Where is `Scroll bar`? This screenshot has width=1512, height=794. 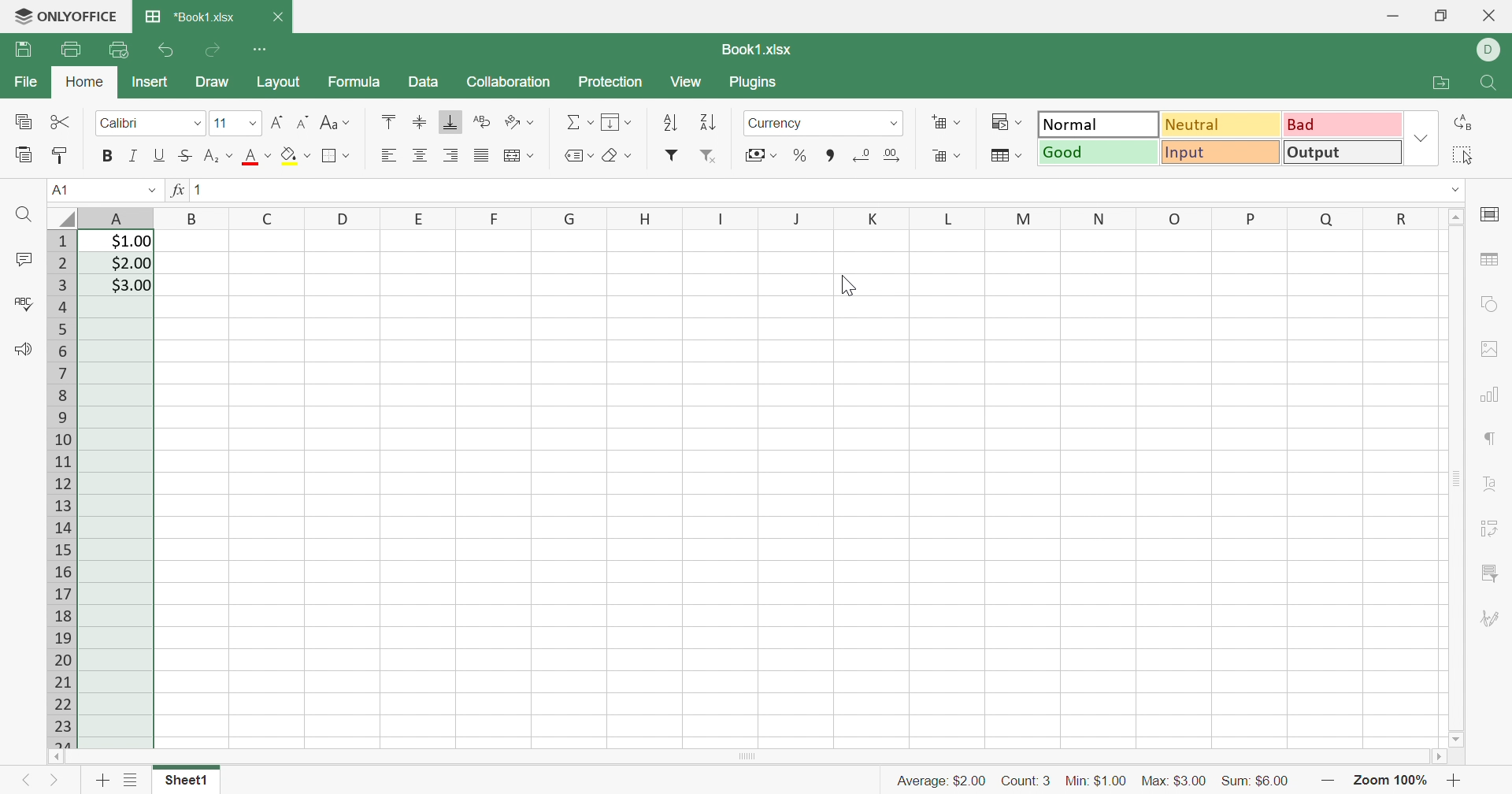
Scroll bar is located at coordinates (747, 756).